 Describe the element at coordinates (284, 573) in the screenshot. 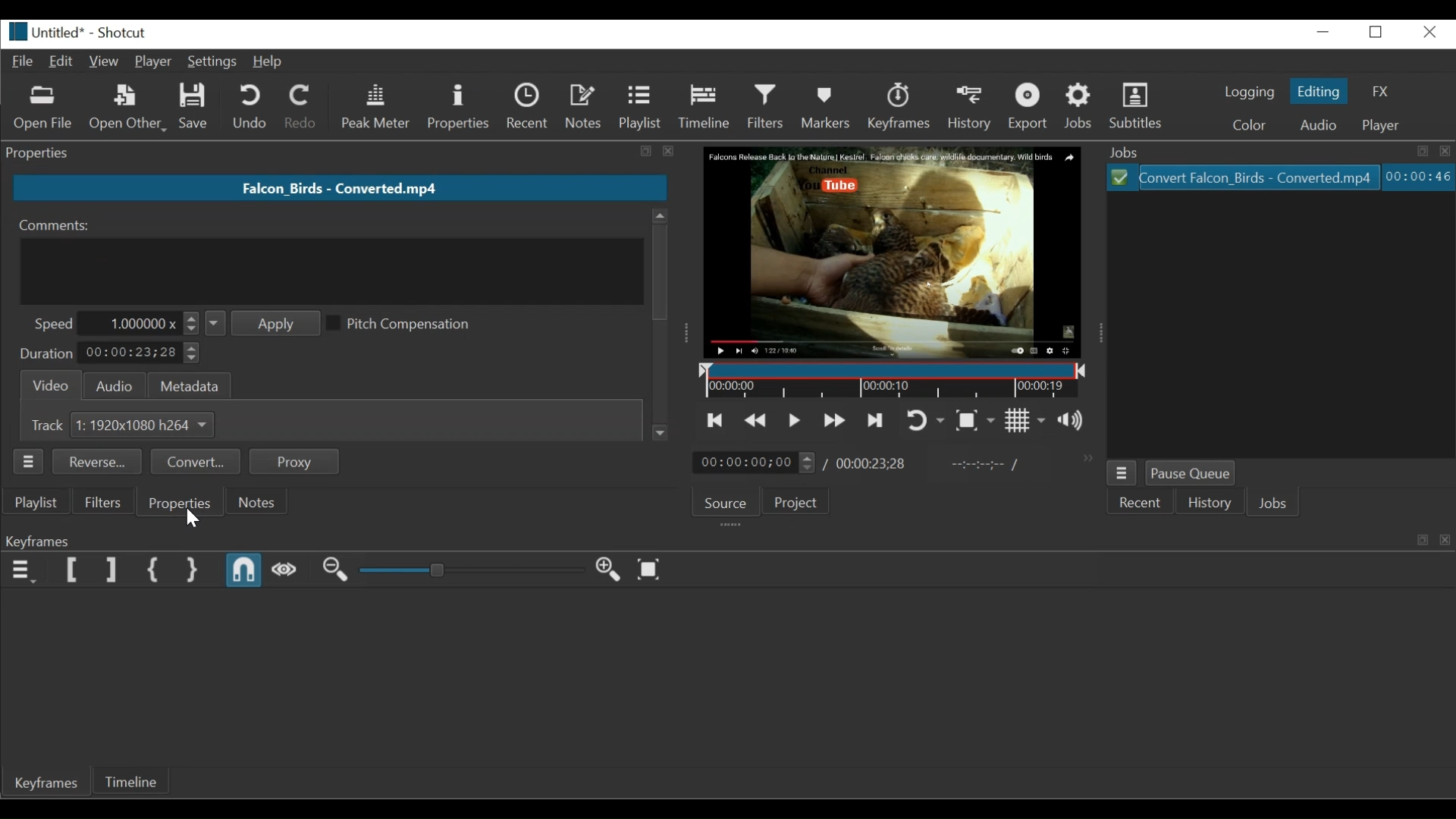

I see `Scrub while dragging` at that location.